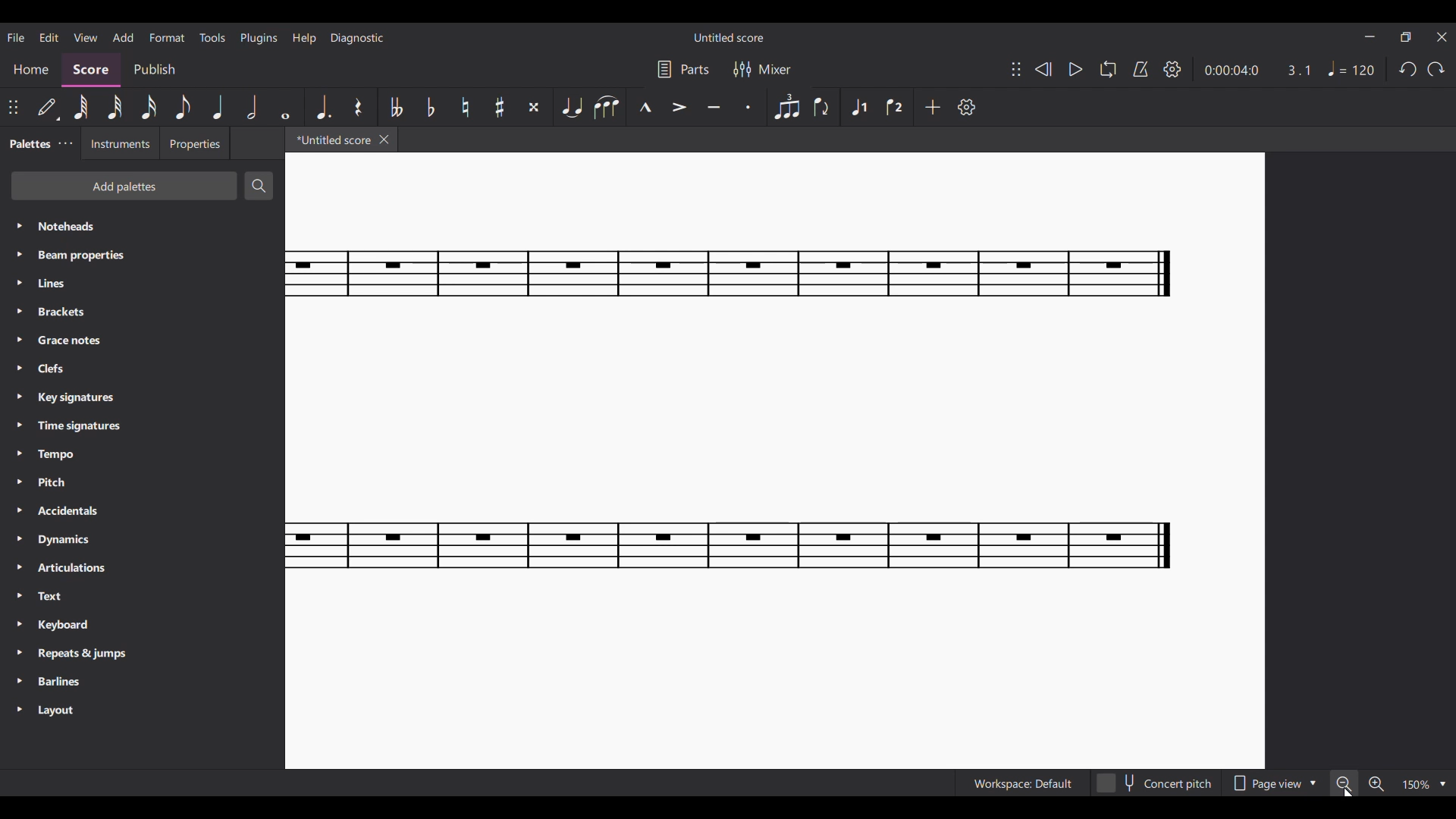  What do you see at coordinates (1271, 783) in the screenshot?
I see `Page view options` at bounding box center [1271, 783].